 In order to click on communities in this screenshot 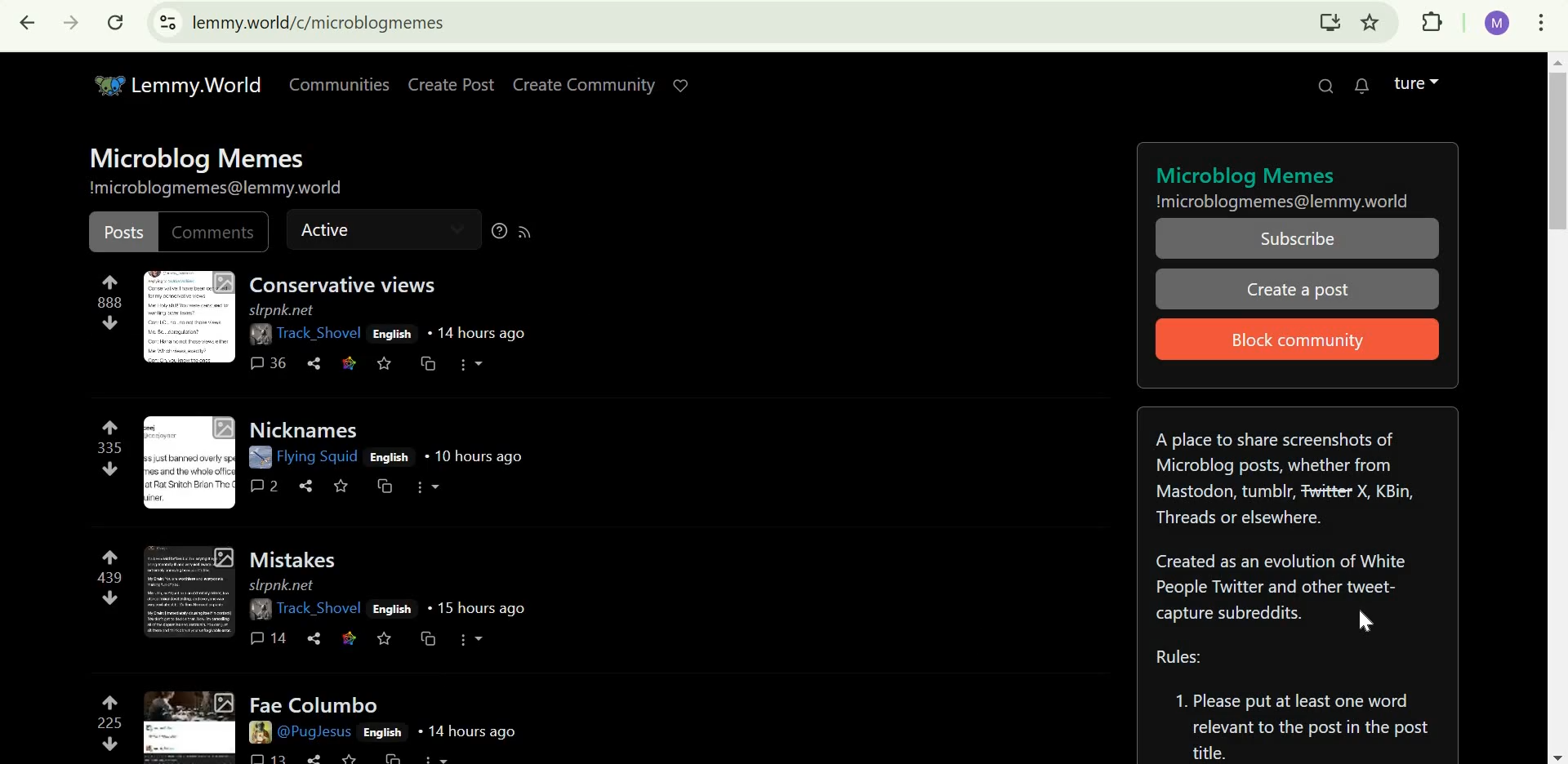, I will do `click(341, 85)`.